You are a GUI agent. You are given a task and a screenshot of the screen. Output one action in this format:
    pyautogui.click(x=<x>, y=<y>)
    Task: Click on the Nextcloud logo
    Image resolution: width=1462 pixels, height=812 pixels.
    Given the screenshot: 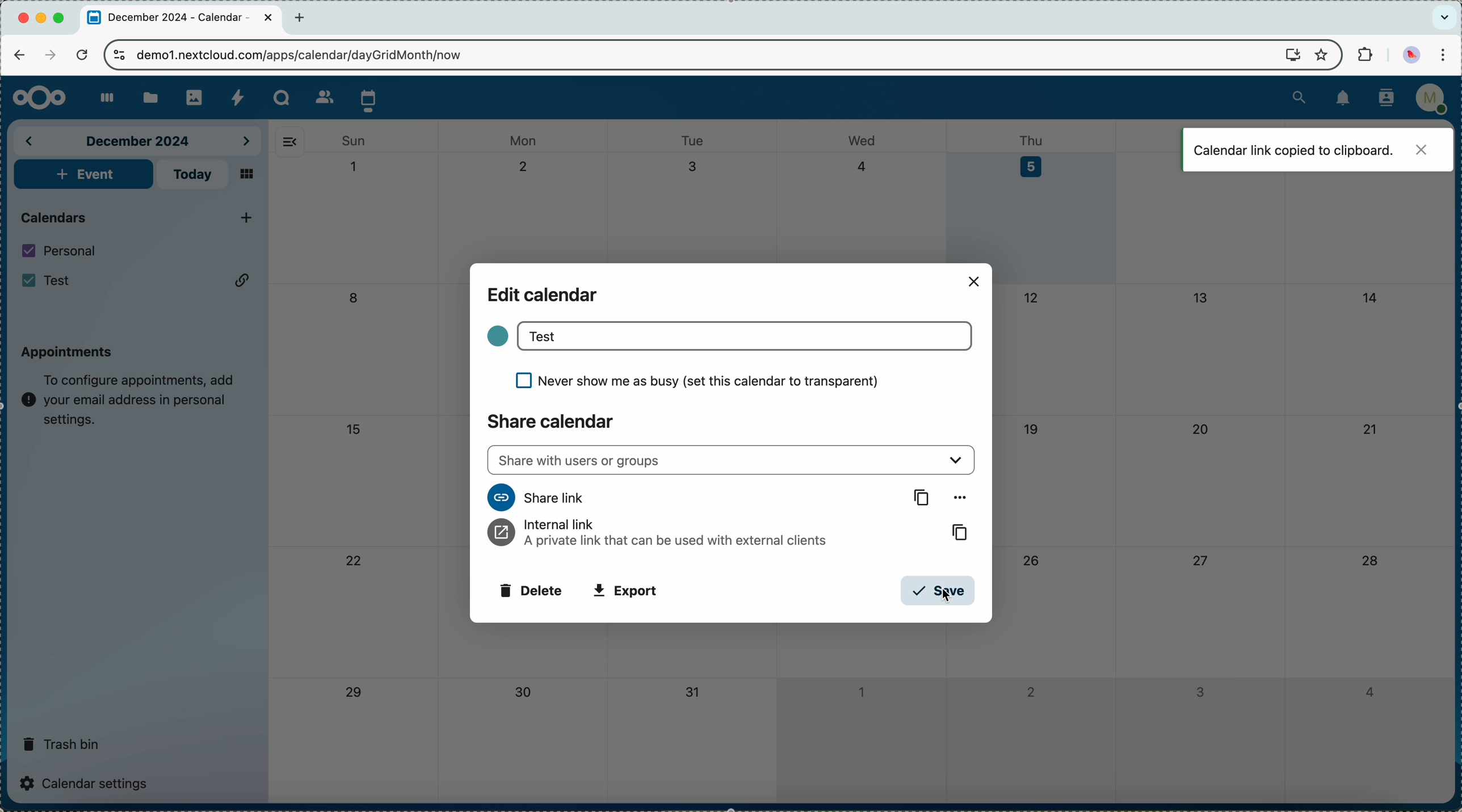 What is the action you would take?
    pyautogui.click(x=35, y=98)
    